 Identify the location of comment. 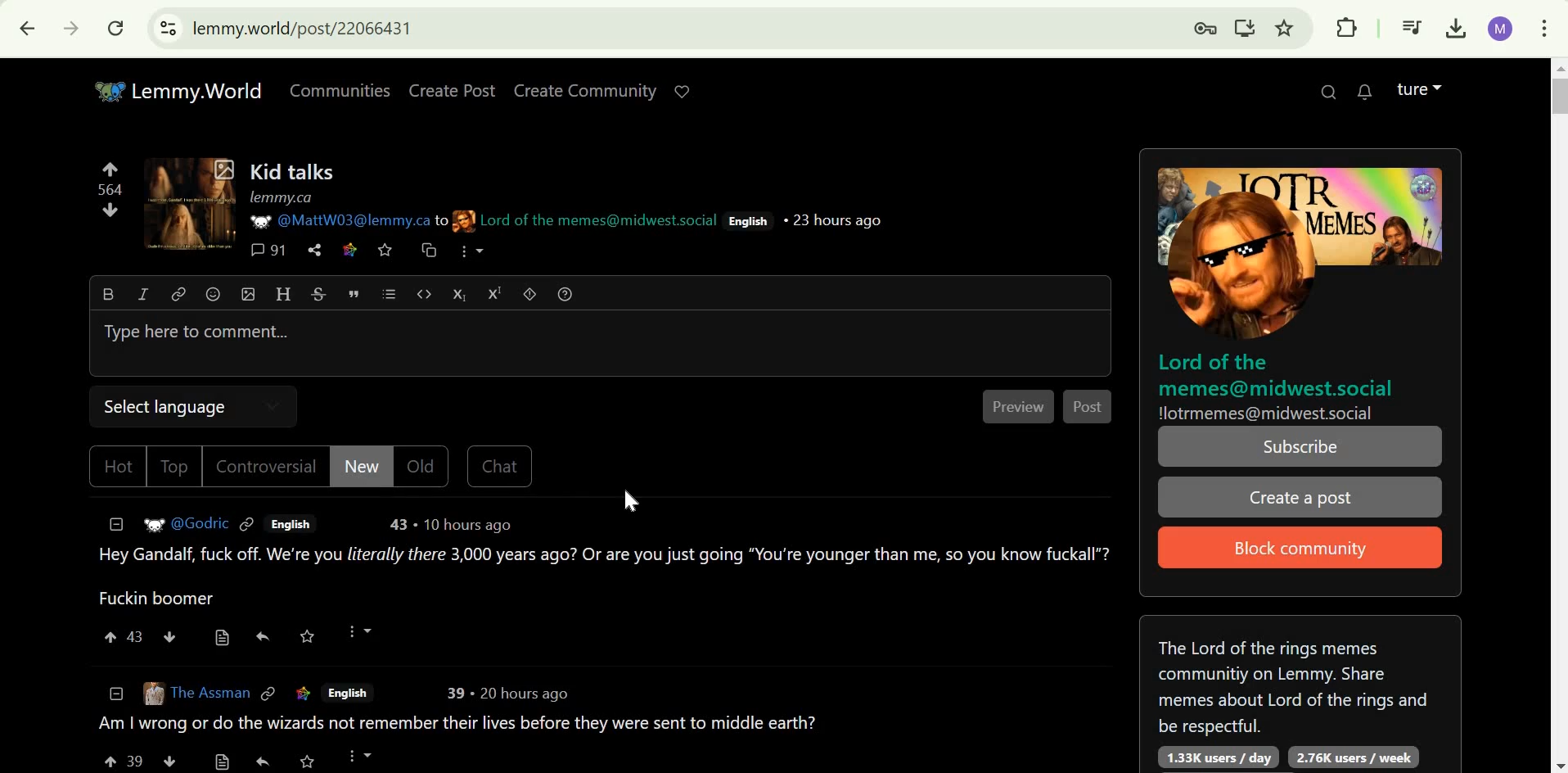
(593, 741).